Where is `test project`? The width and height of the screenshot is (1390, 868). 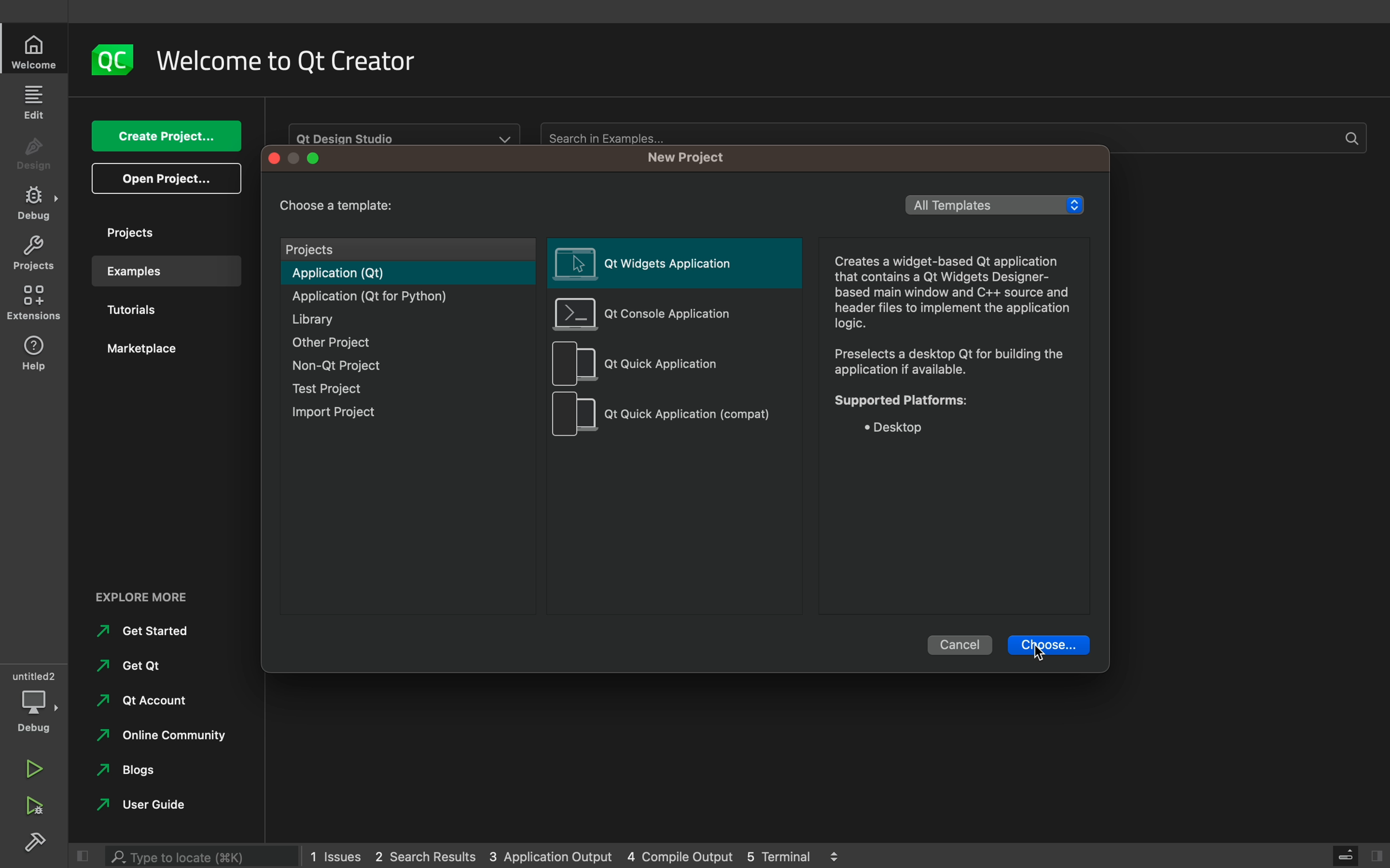
test project is located at coordinates (401, 386).